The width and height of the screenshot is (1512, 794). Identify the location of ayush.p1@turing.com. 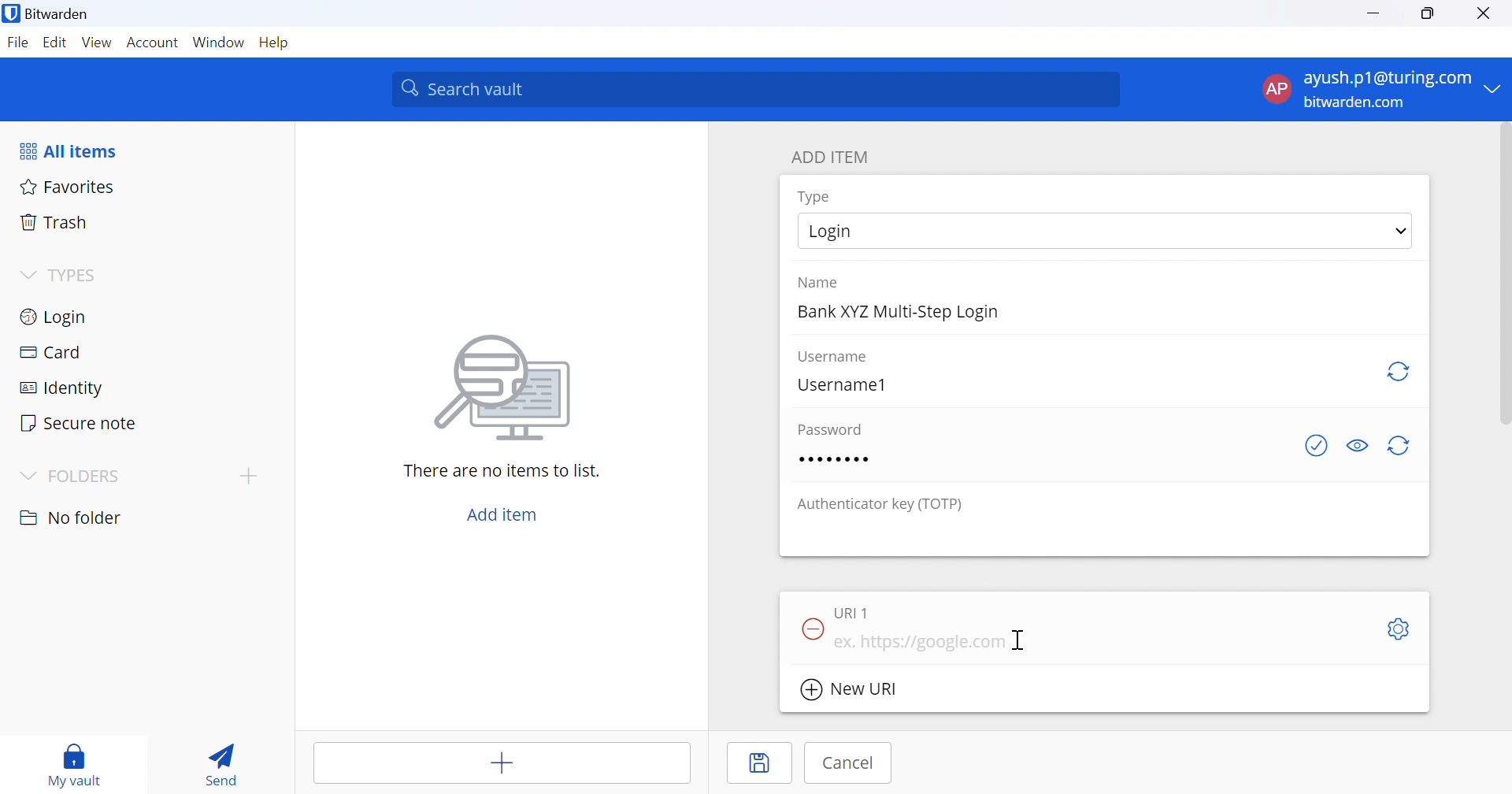
(1388, 78).